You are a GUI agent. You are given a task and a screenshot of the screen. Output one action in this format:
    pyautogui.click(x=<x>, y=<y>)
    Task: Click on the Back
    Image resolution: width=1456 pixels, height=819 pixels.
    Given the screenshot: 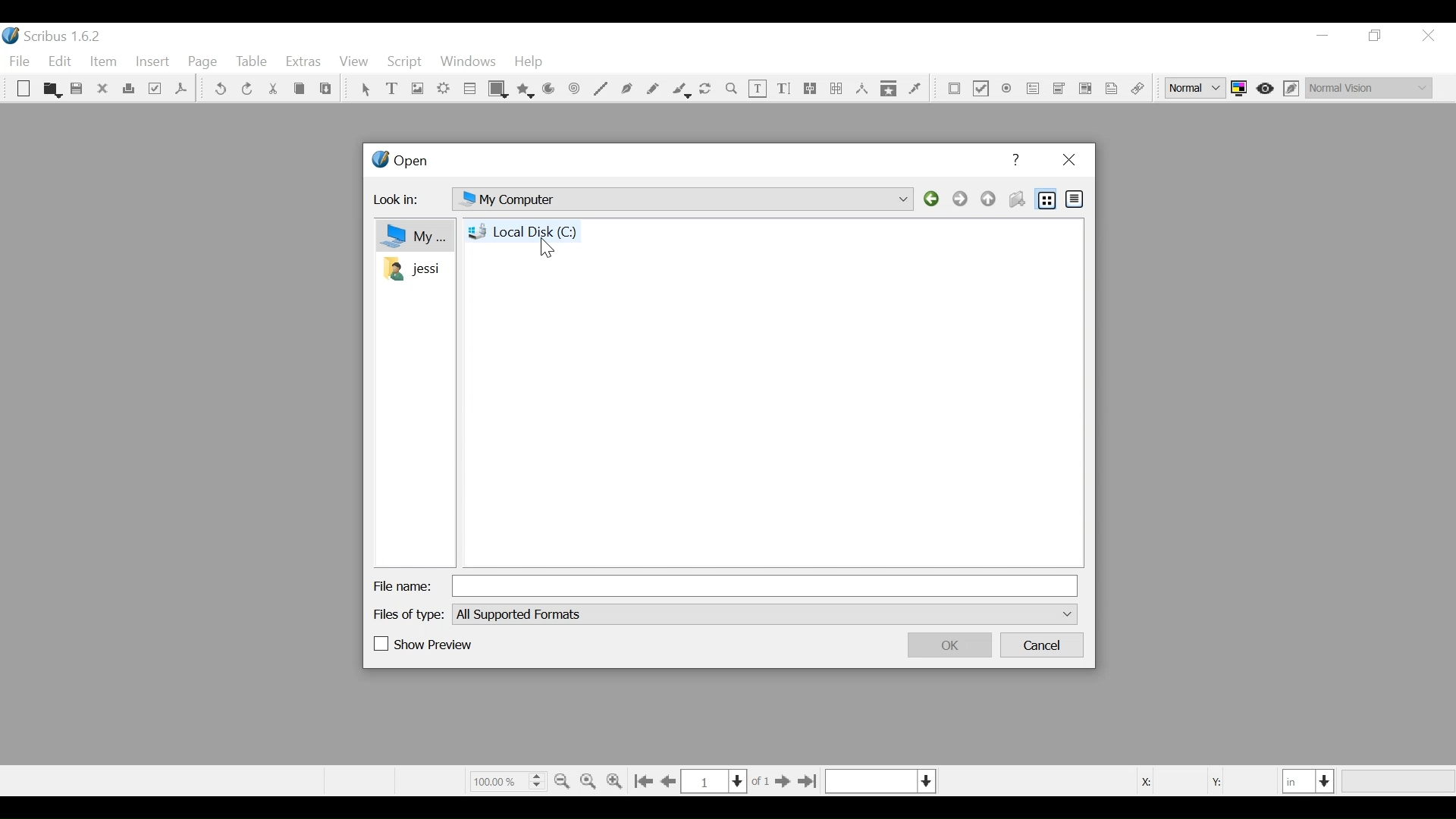 What is the action you would take?
    pyautogui.click(x=934, y=199)
    